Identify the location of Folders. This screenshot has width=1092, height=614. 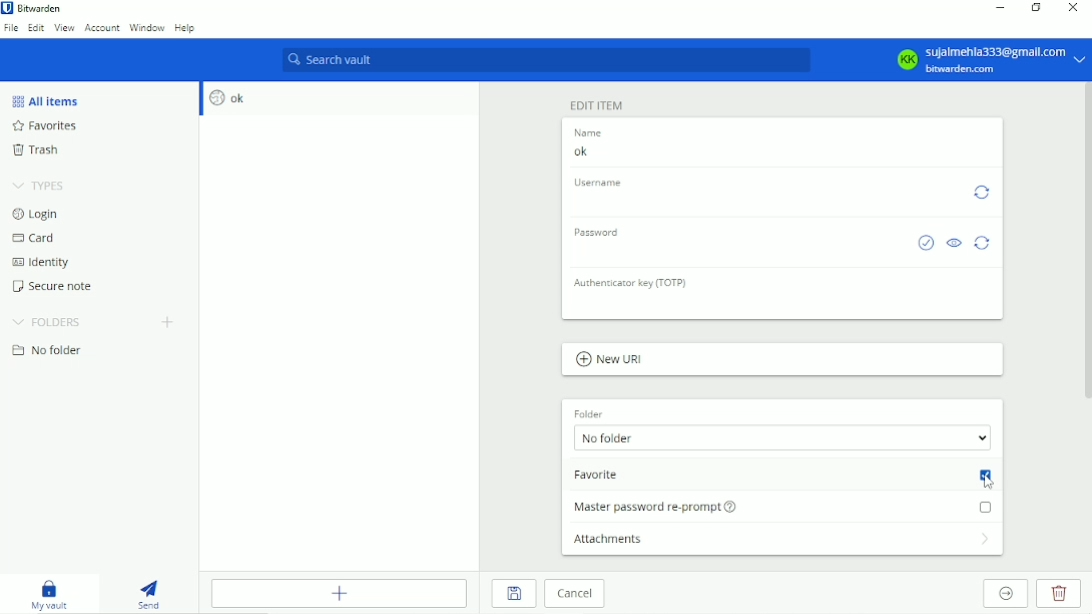
(45, 321).